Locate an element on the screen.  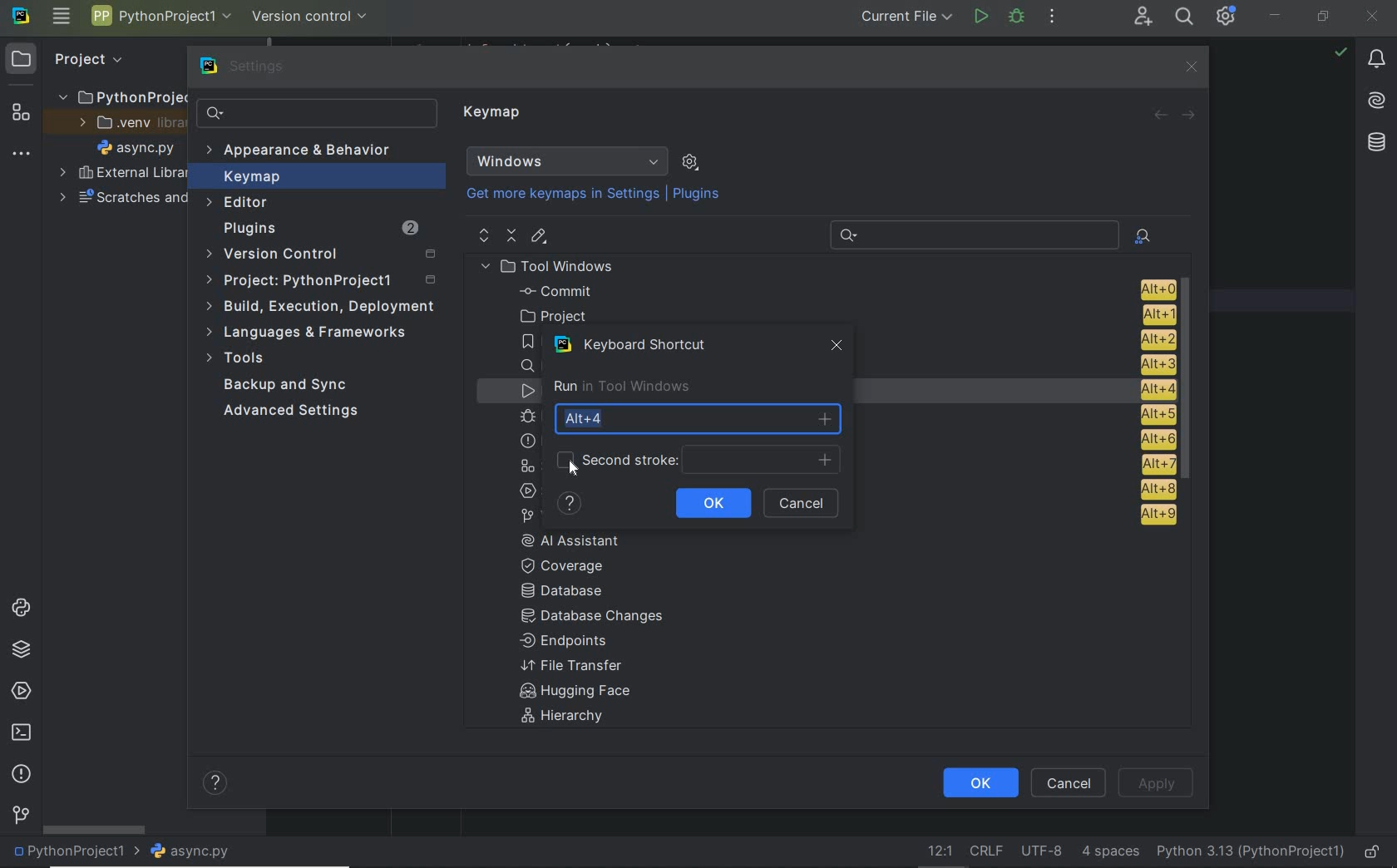
Get more keymaps in Settings is located at coordinates (555, 195).